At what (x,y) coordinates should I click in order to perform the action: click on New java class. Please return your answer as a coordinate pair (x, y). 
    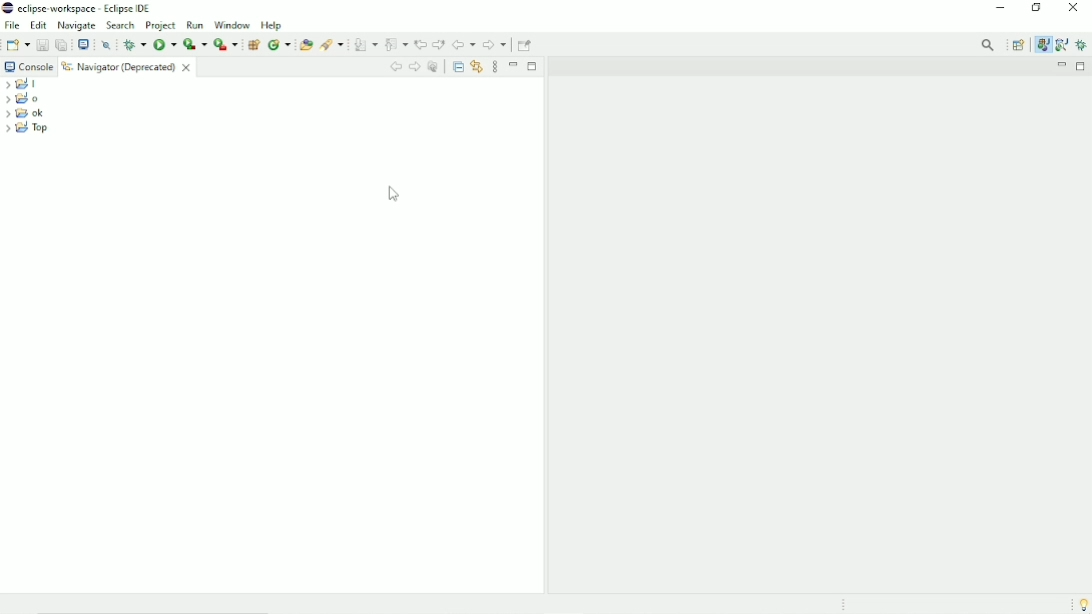
    Looking at the image, I should click on (279, 45).